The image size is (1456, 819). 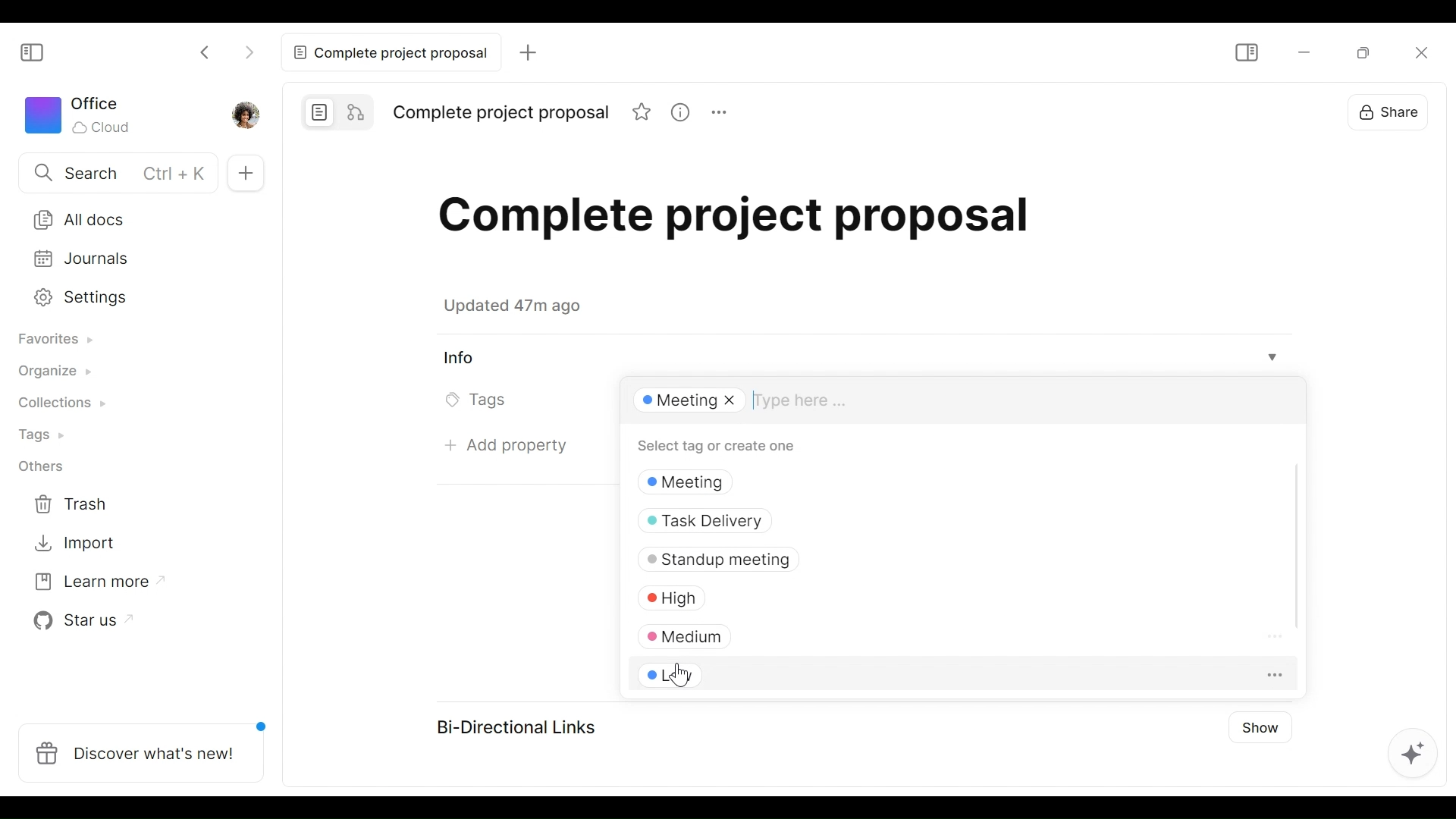 I want to click on View Info, so click(x=863, y=358).